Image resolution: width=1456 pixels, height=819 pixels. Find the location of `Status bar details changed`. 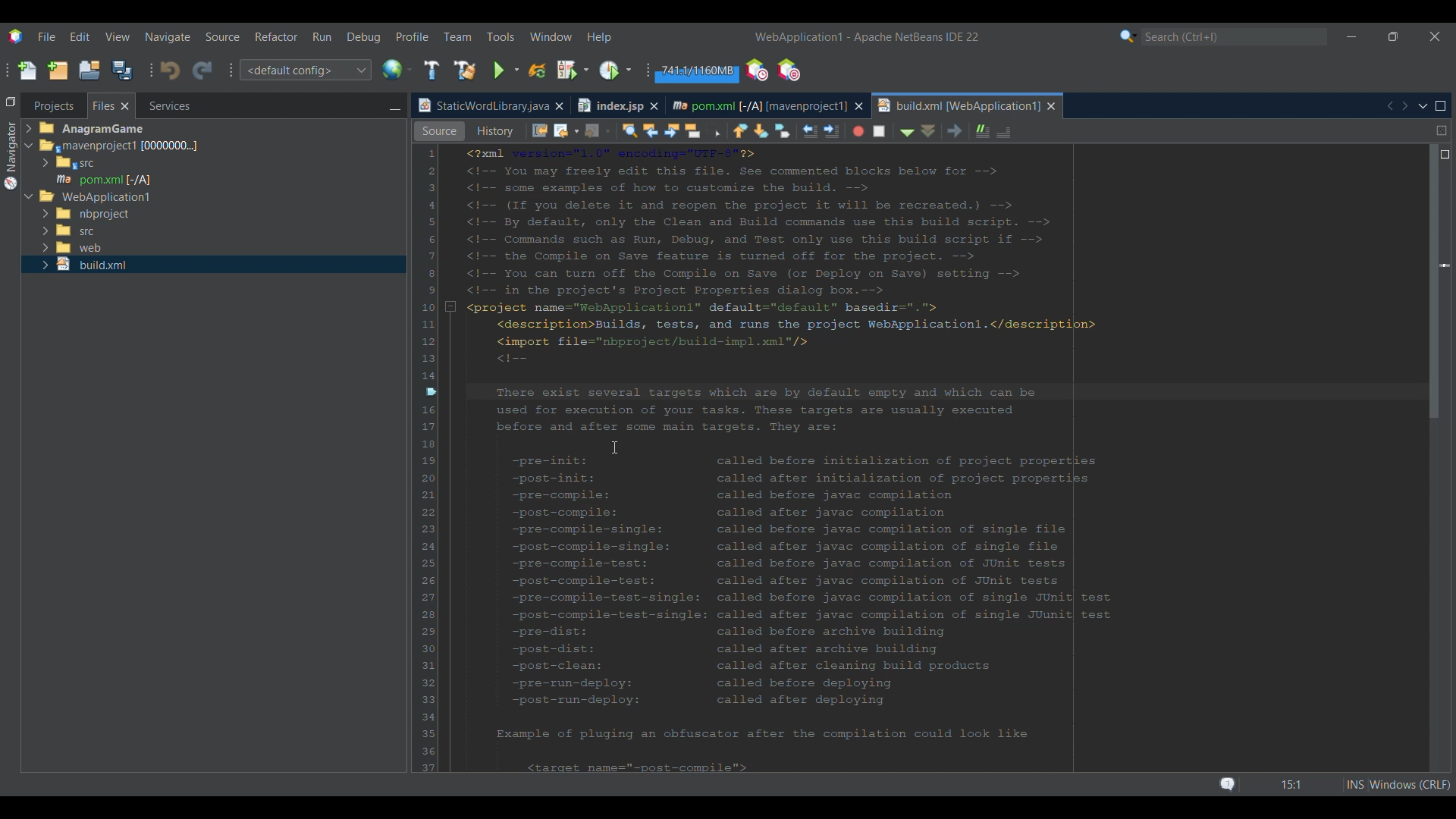

Status bar details changed is located at coordinates (1334, 784).